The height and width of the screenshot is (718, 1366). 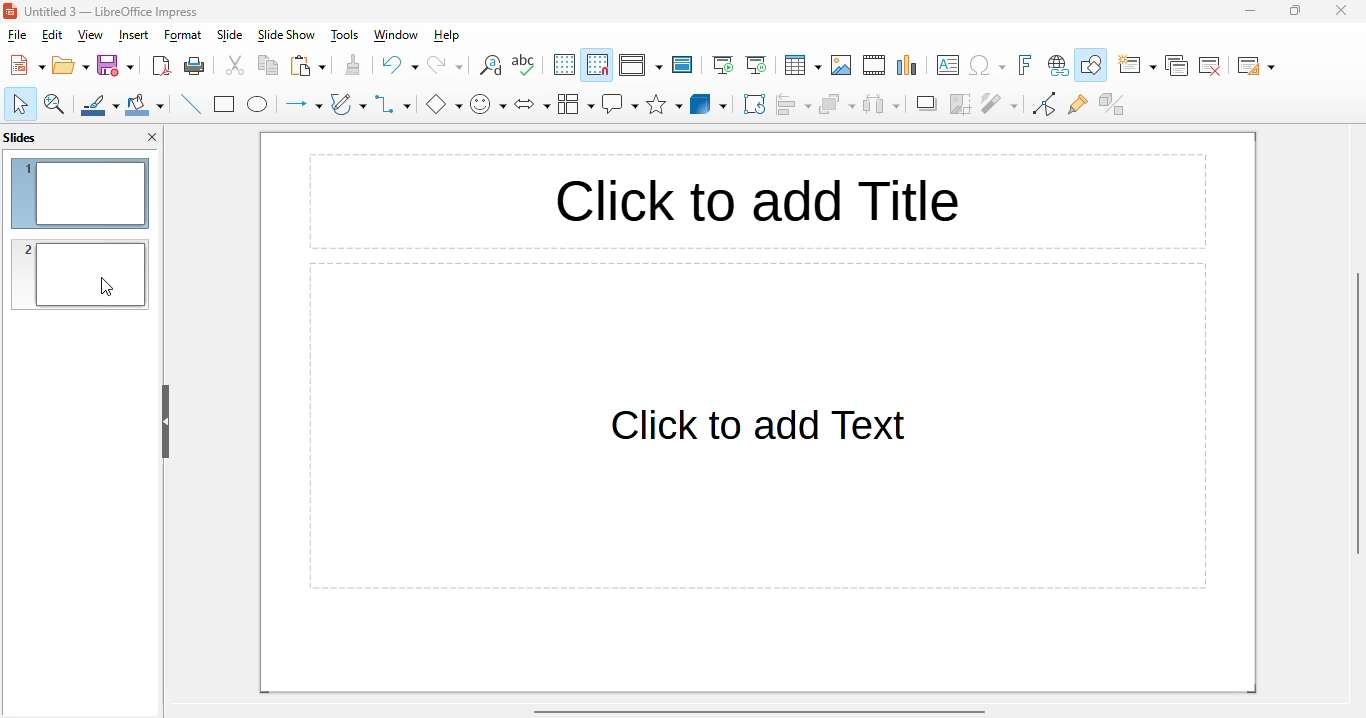 What do you see at coordinates (882, 103) in the screenshot?
I see `select at least three objects to distribute` at bounding box center [882, 103].